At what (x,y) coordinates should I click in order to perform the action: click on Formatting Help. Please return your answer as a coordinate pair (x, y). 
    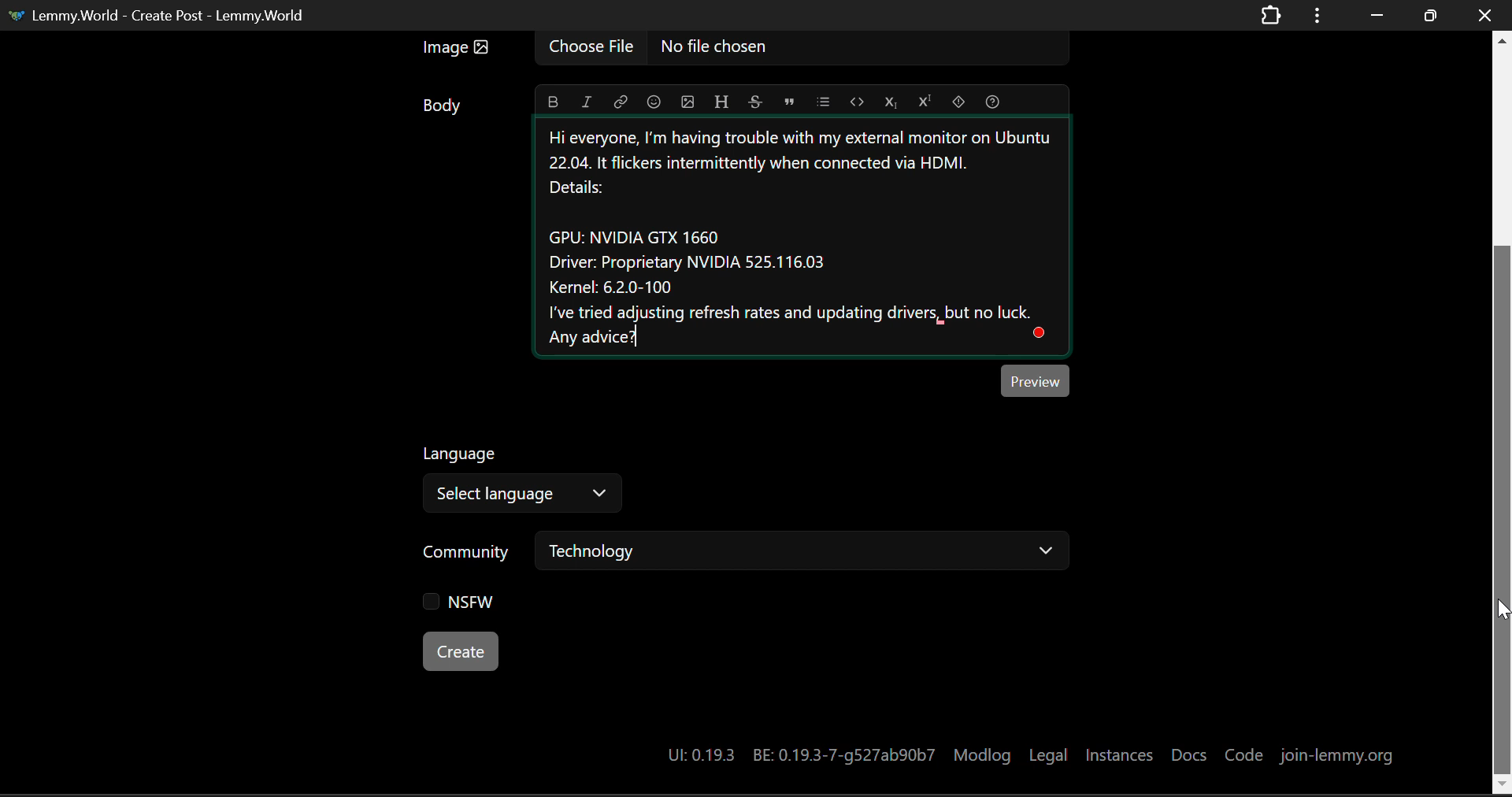
    Looking at the image, I should click on (992, 100).